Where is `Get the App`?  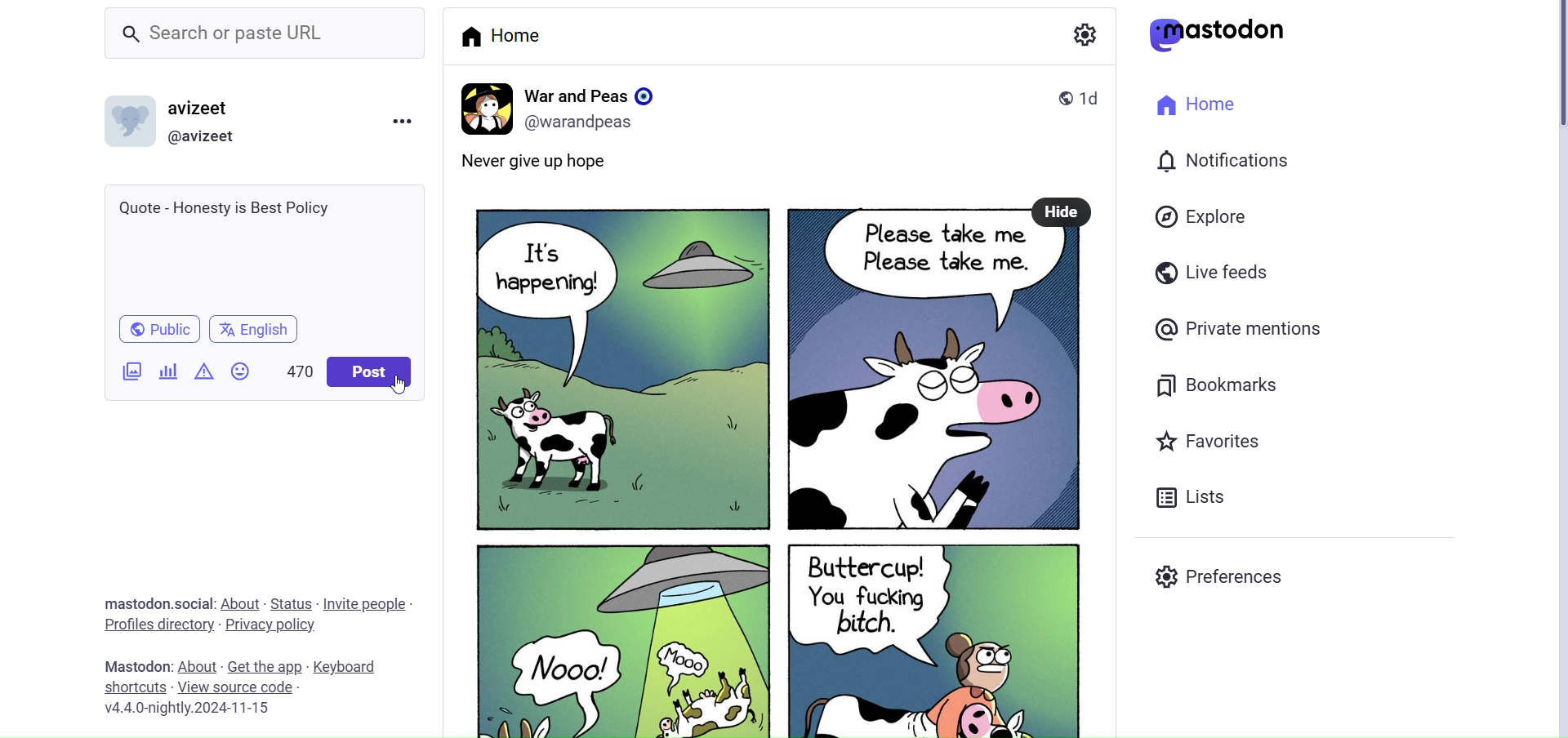 Get the App is located at coordinates (267, 666).